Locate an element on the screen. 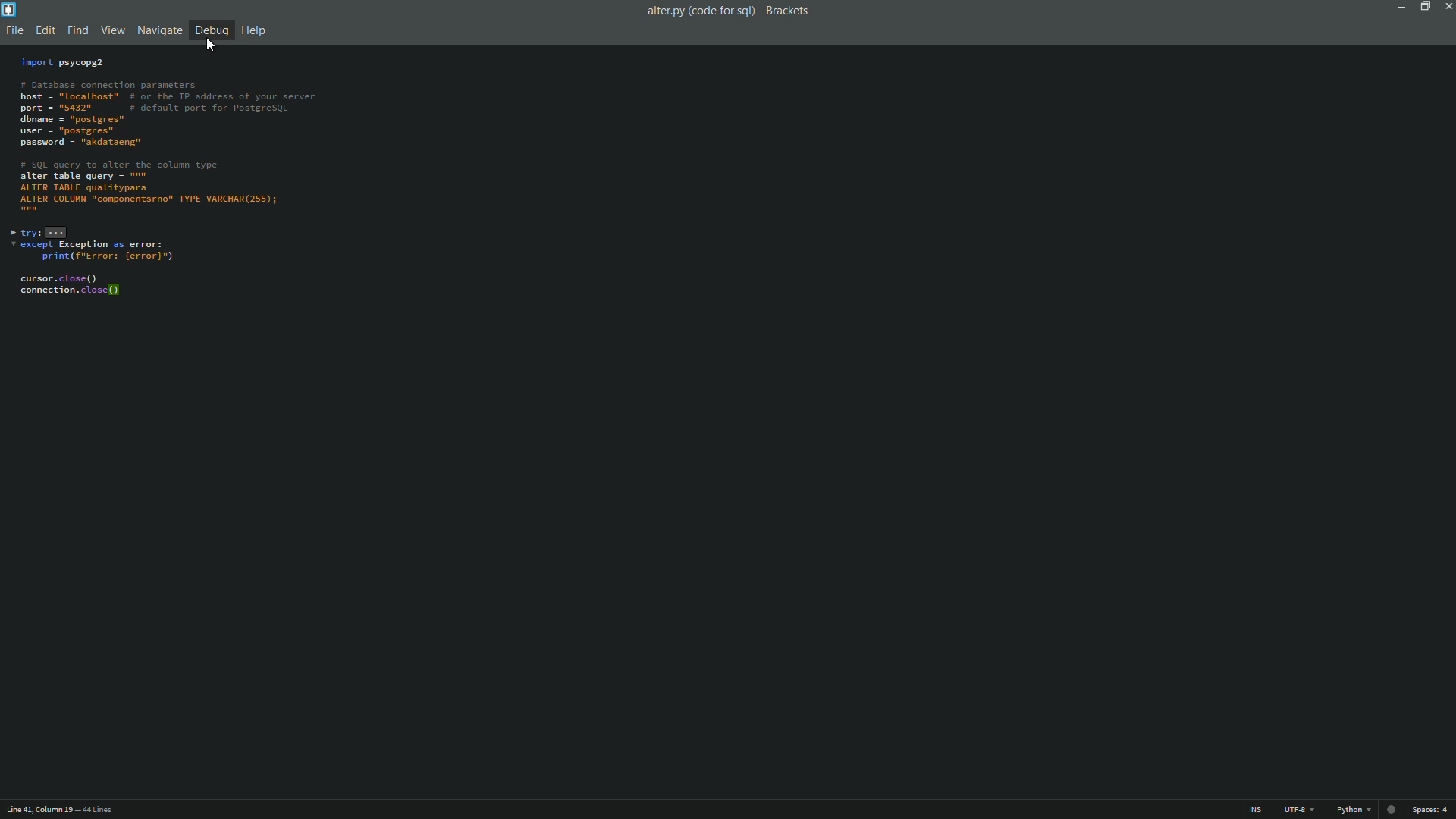  File menu is located at coordinates (14, 32).